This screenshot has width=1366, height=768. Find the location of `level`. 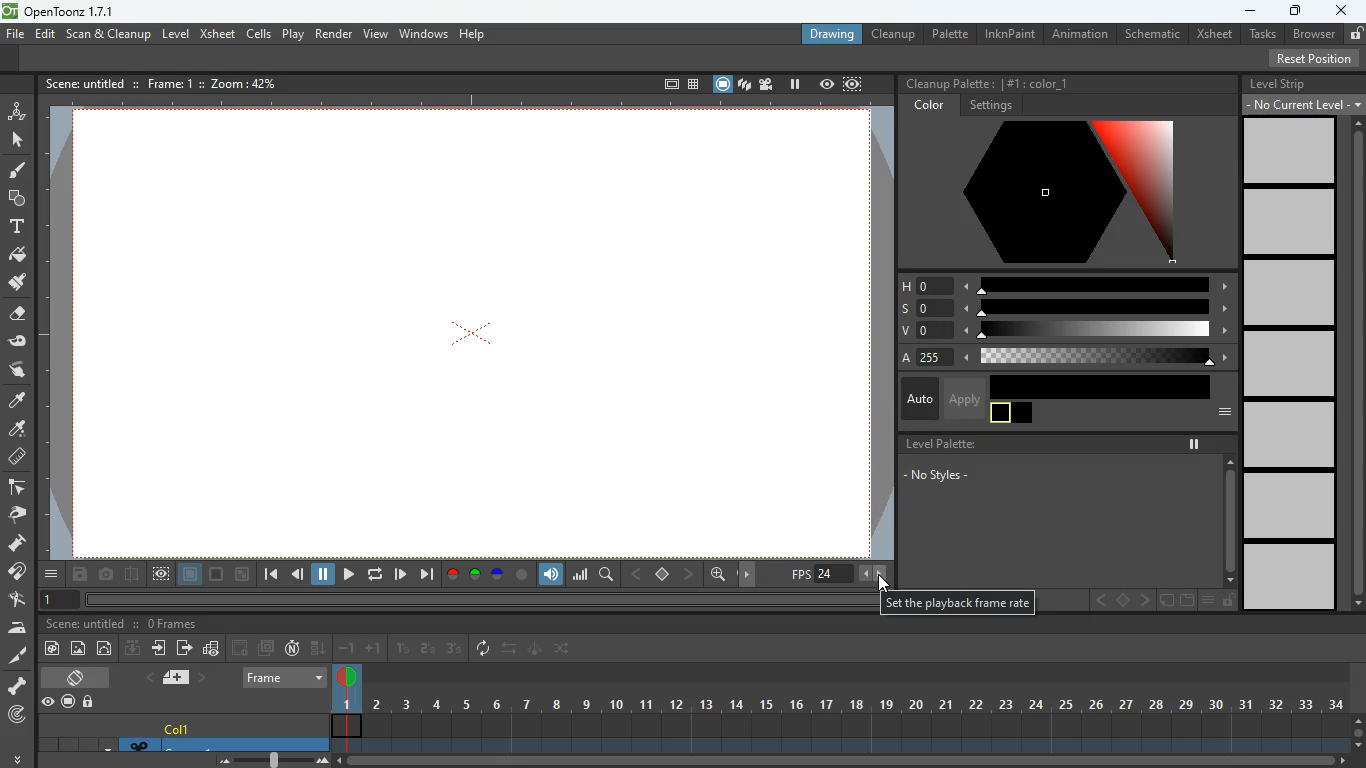

level is located at coordinates (173, 35).